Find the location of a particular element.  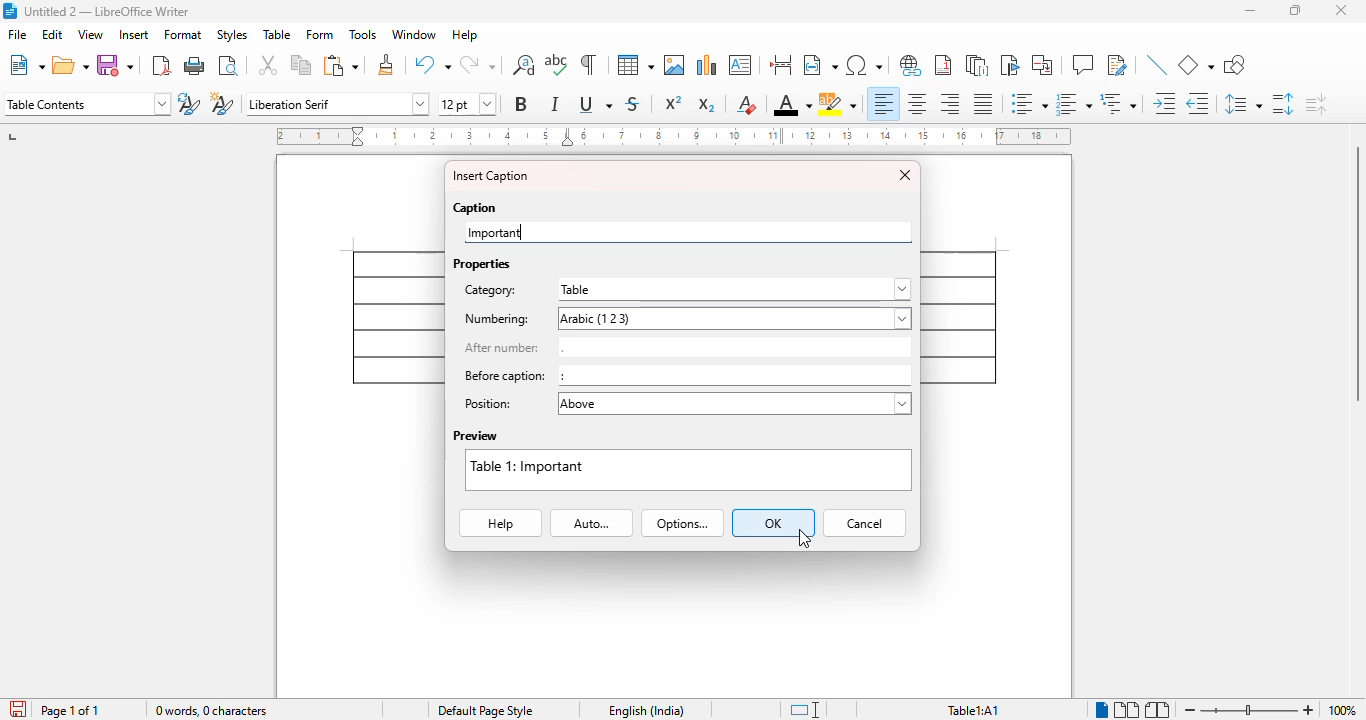

toggle ordered list is located at coordinates (1074, 104).